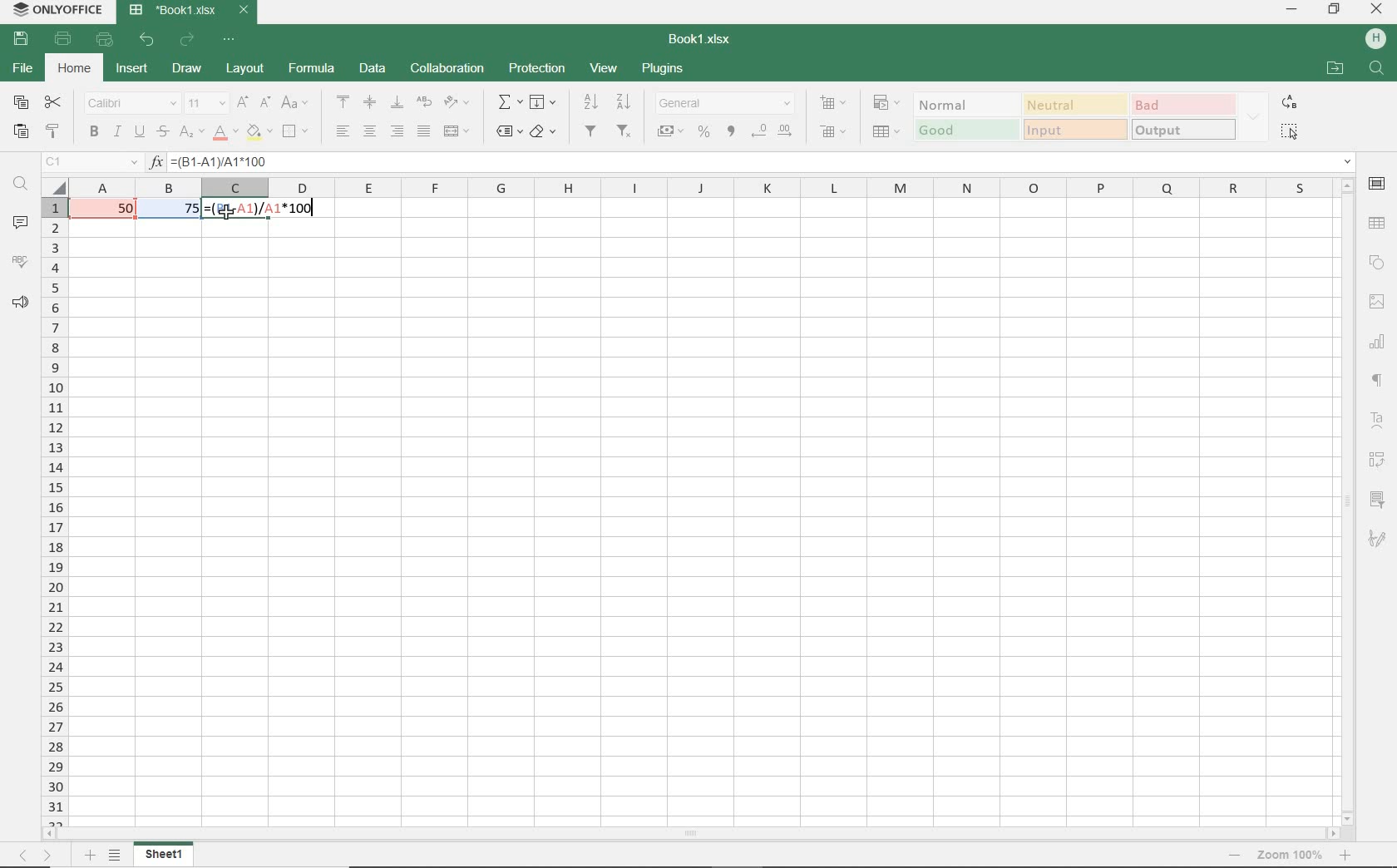  I want to click on file name, so click(190, 12).